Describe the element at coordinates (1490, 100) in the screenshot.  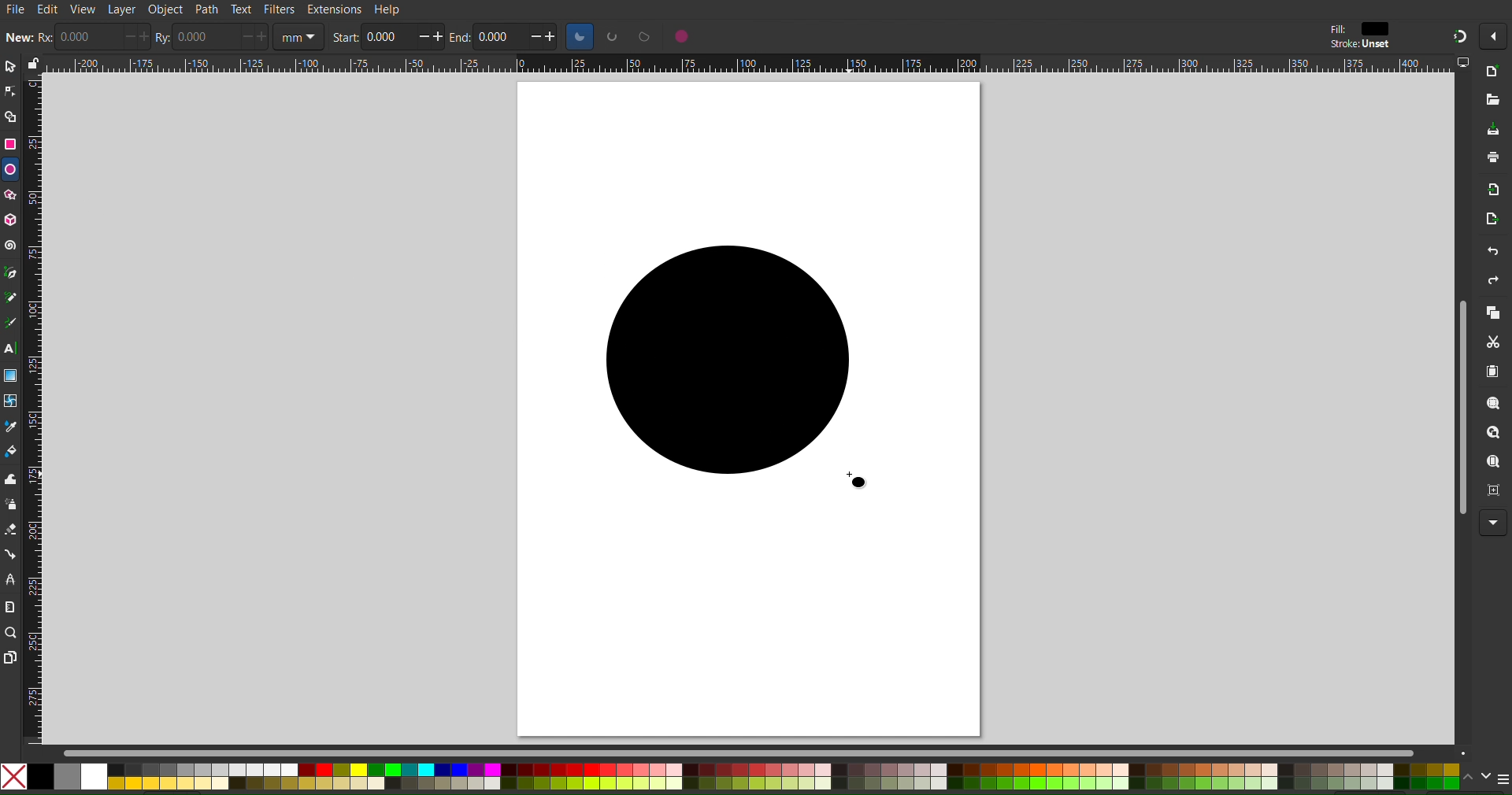
I see `Open` at that location.